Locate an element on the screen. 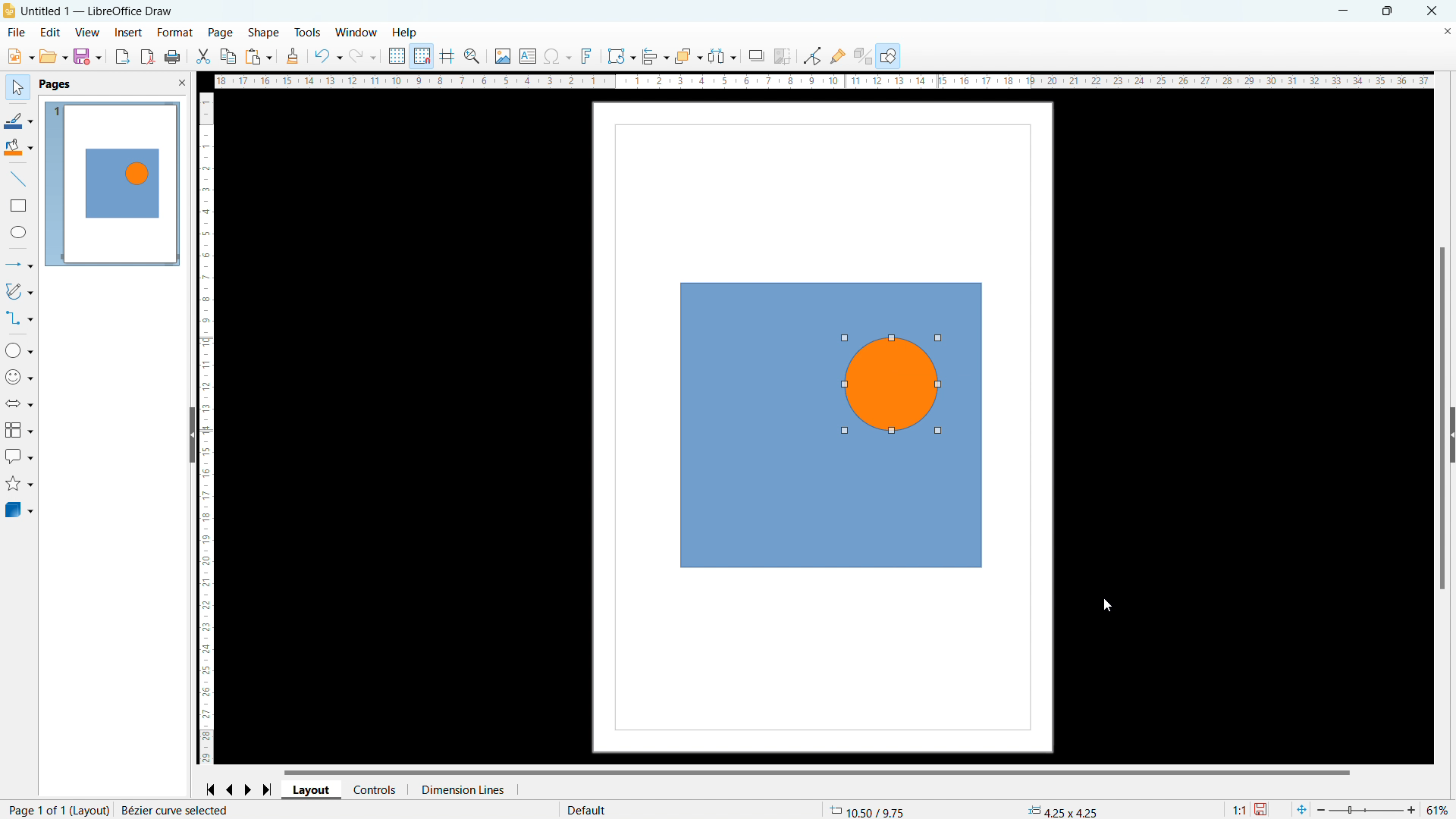 This screenshot has height=819, width=1456. help is located at coordinates (404, 32).